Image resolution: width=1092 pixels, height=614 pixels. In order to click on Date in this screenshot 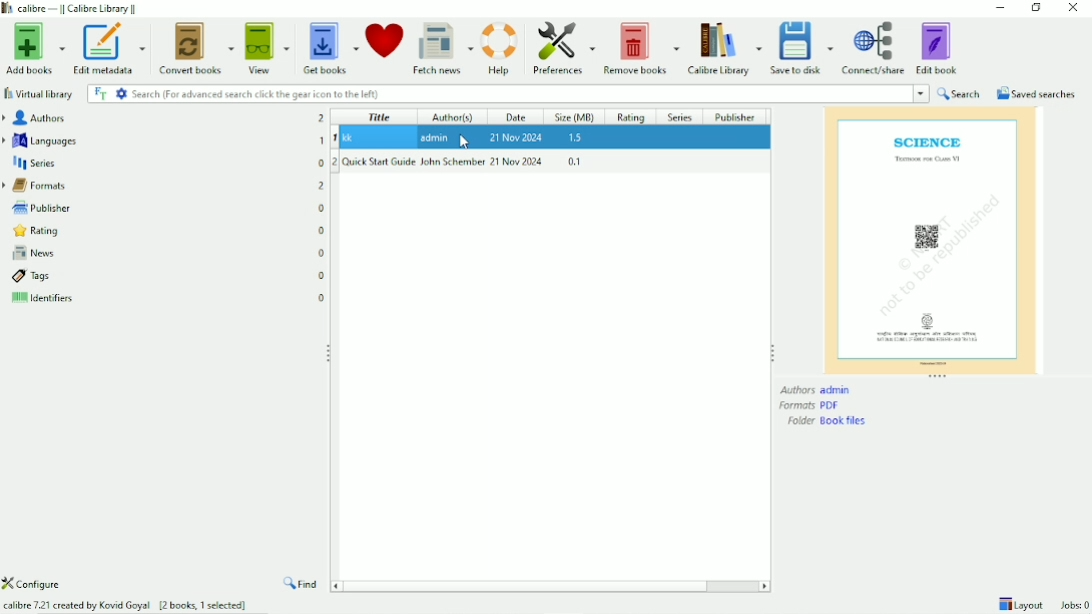, I will do `click(517, 117)`.